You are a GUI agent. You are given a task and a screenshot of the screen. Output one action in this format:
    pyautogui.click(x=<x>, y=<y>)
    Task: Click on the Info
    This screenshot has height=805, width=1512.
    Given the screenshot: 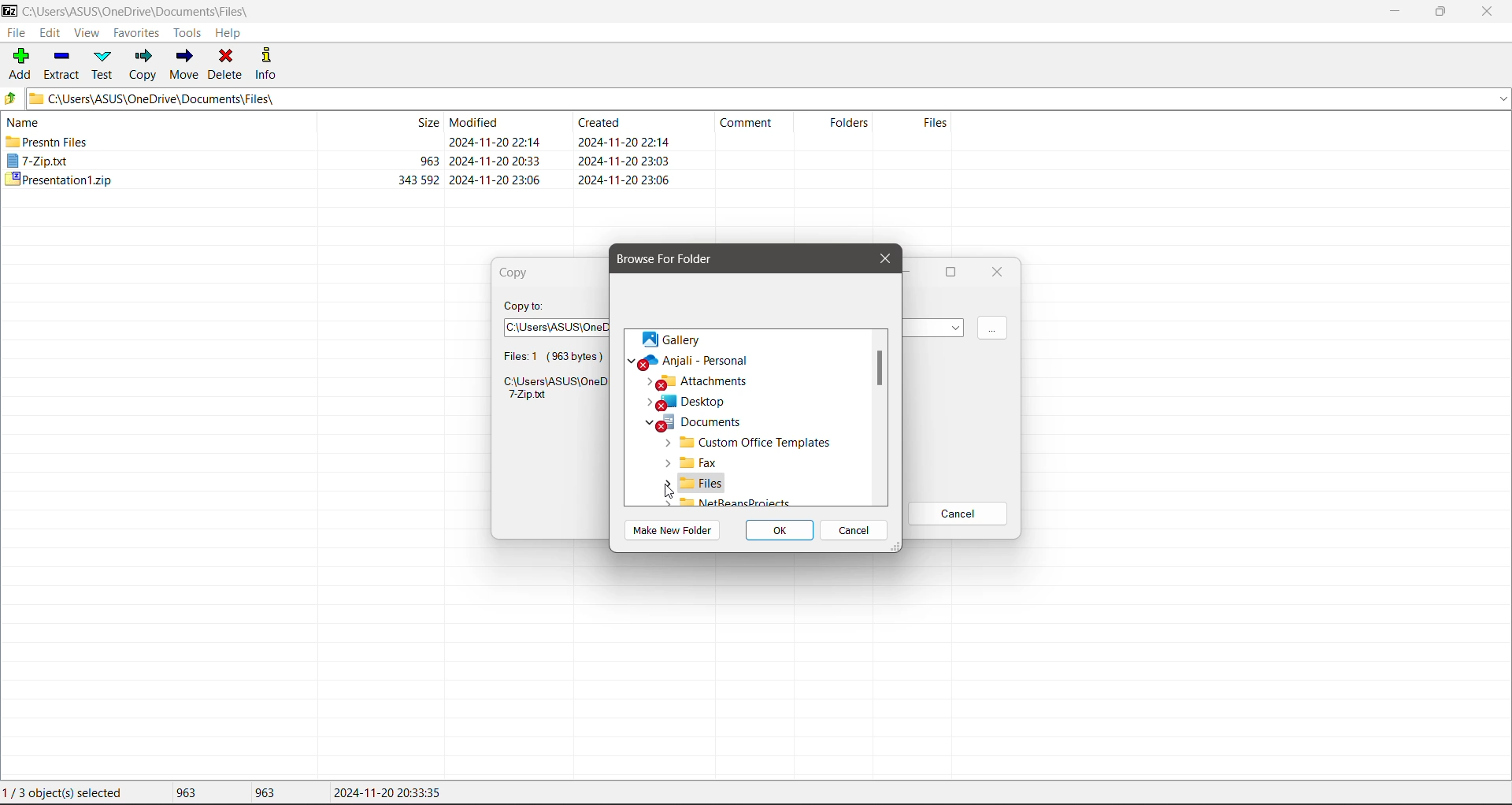 What is the action you would take?
    pyautogui.click(x=267, y=62)
    